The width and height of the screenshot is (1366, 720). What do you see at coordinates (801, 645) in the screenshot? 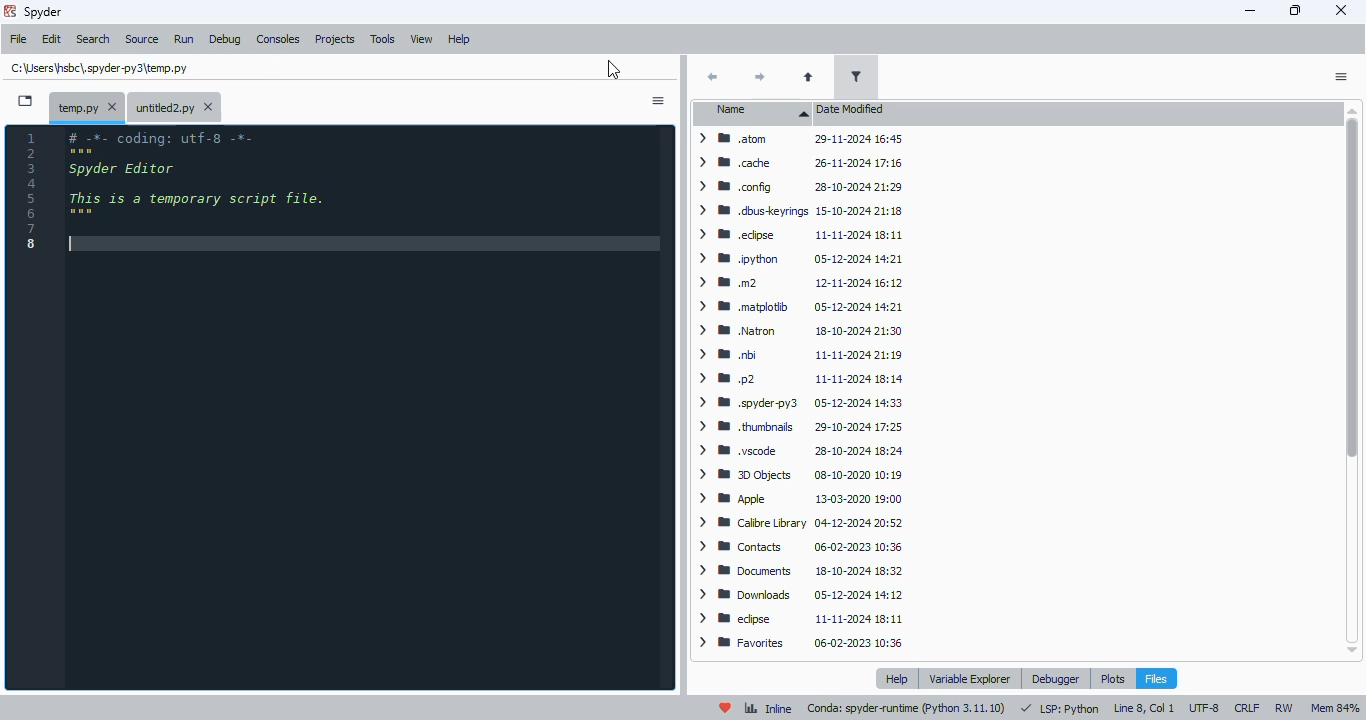
I see `> BB Favorites 06-02-2023 10:36` at bounding box center [801, 645].